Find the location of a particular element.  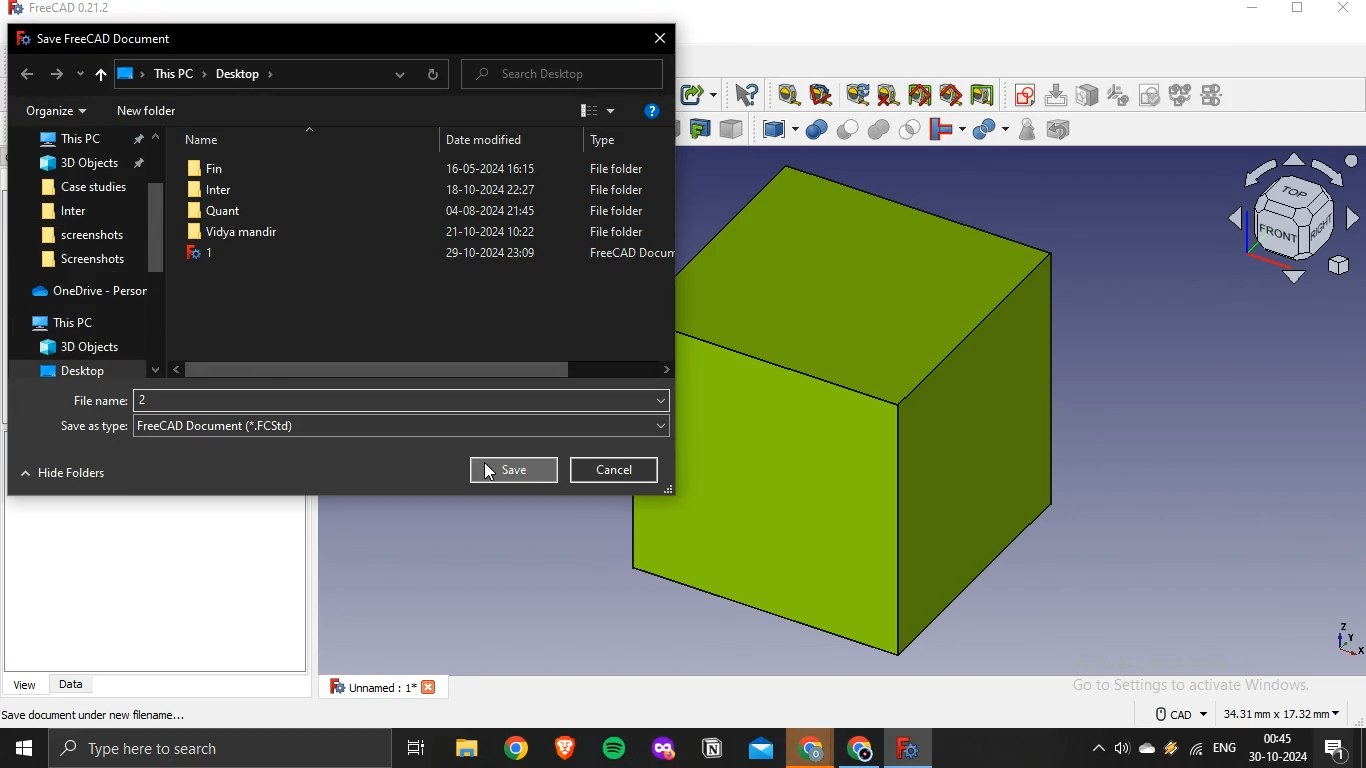

toggle all is located at coordinates (919, 95).